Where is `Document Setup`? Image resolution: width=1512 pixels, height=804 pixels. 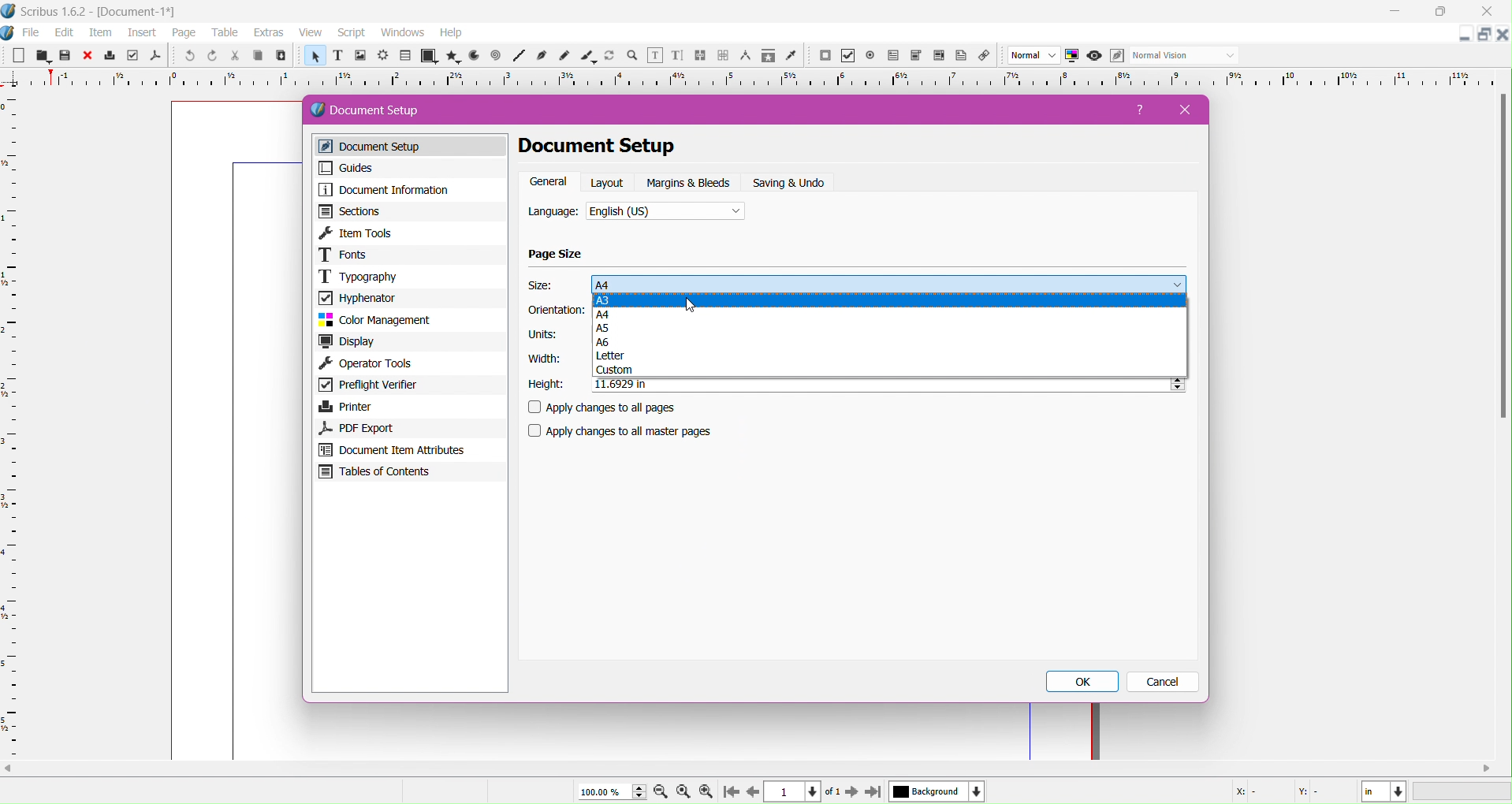
Document Setup is located at coordinates (380, 110).